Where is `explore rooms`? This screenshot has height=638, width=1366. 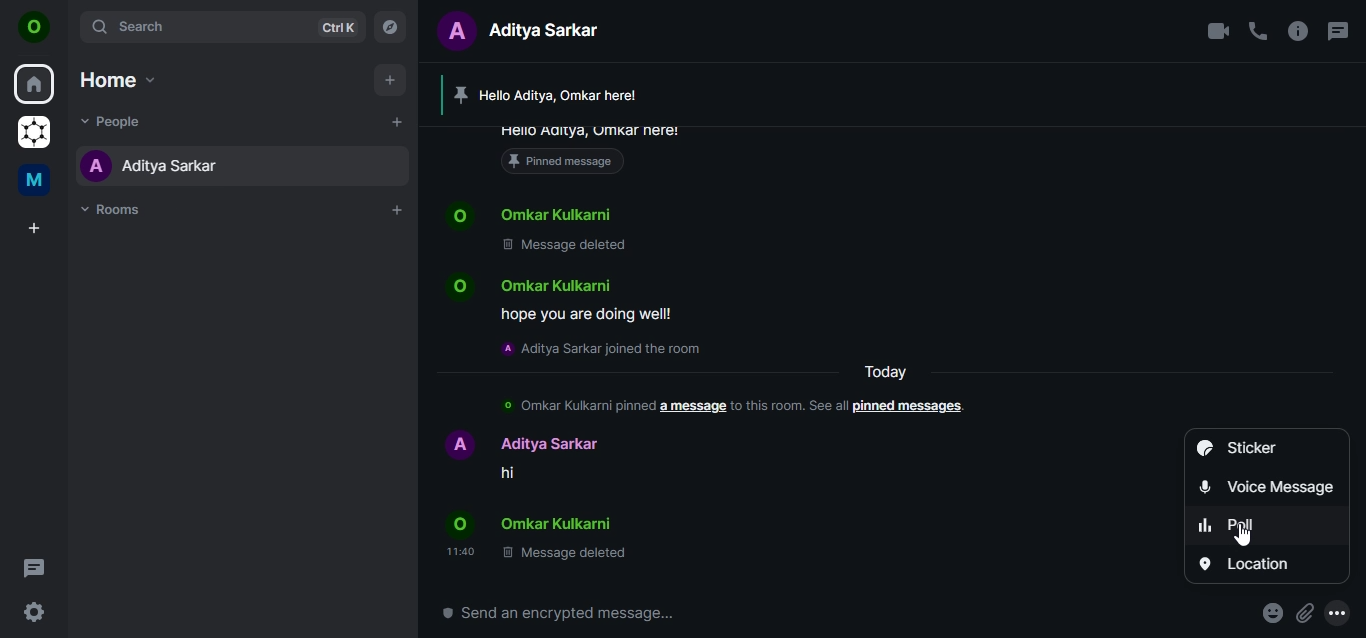 explore rooms is located at coordinates (391, 25).